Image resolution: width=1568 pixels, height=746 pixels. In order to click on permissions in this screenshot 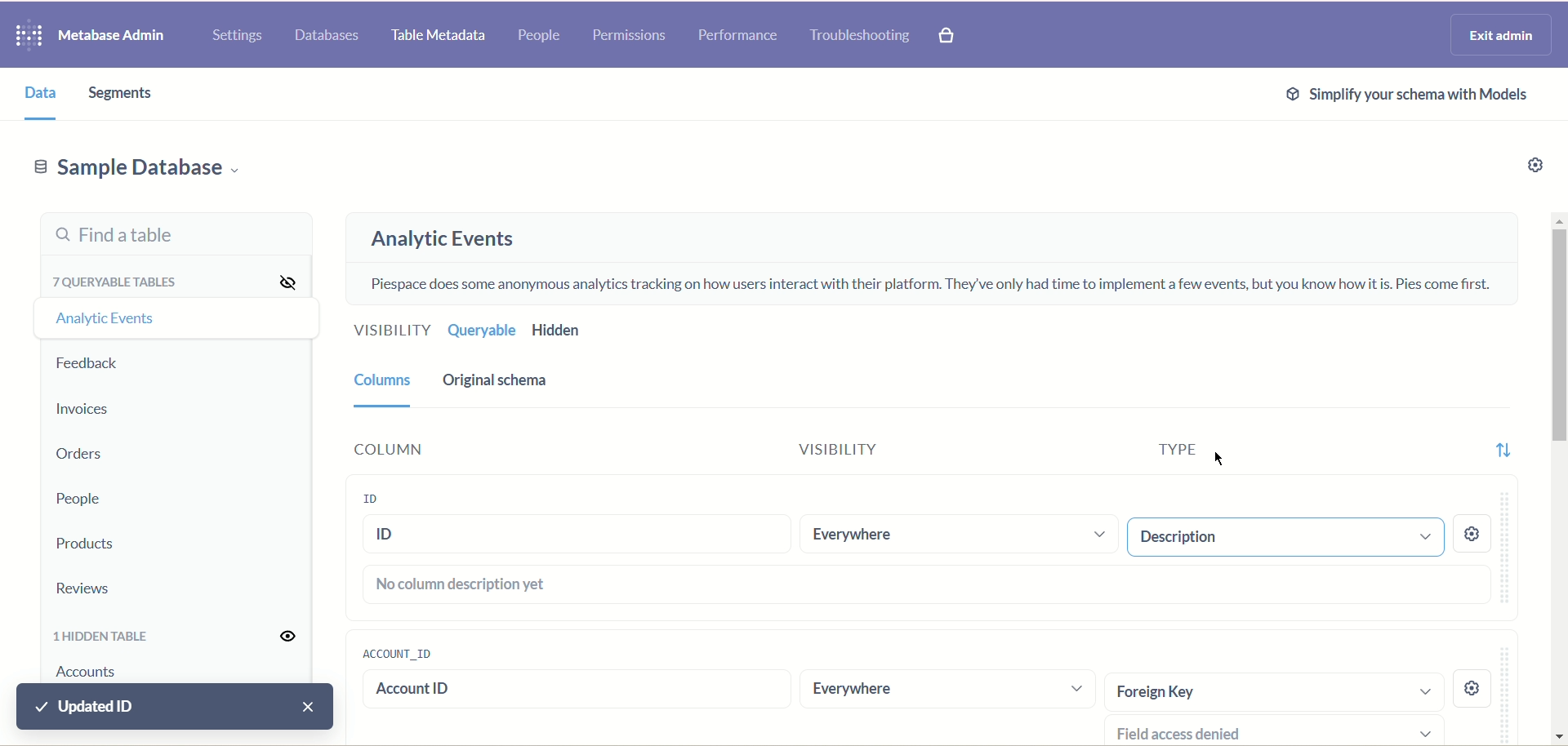, I will do `click(630, 36)`.